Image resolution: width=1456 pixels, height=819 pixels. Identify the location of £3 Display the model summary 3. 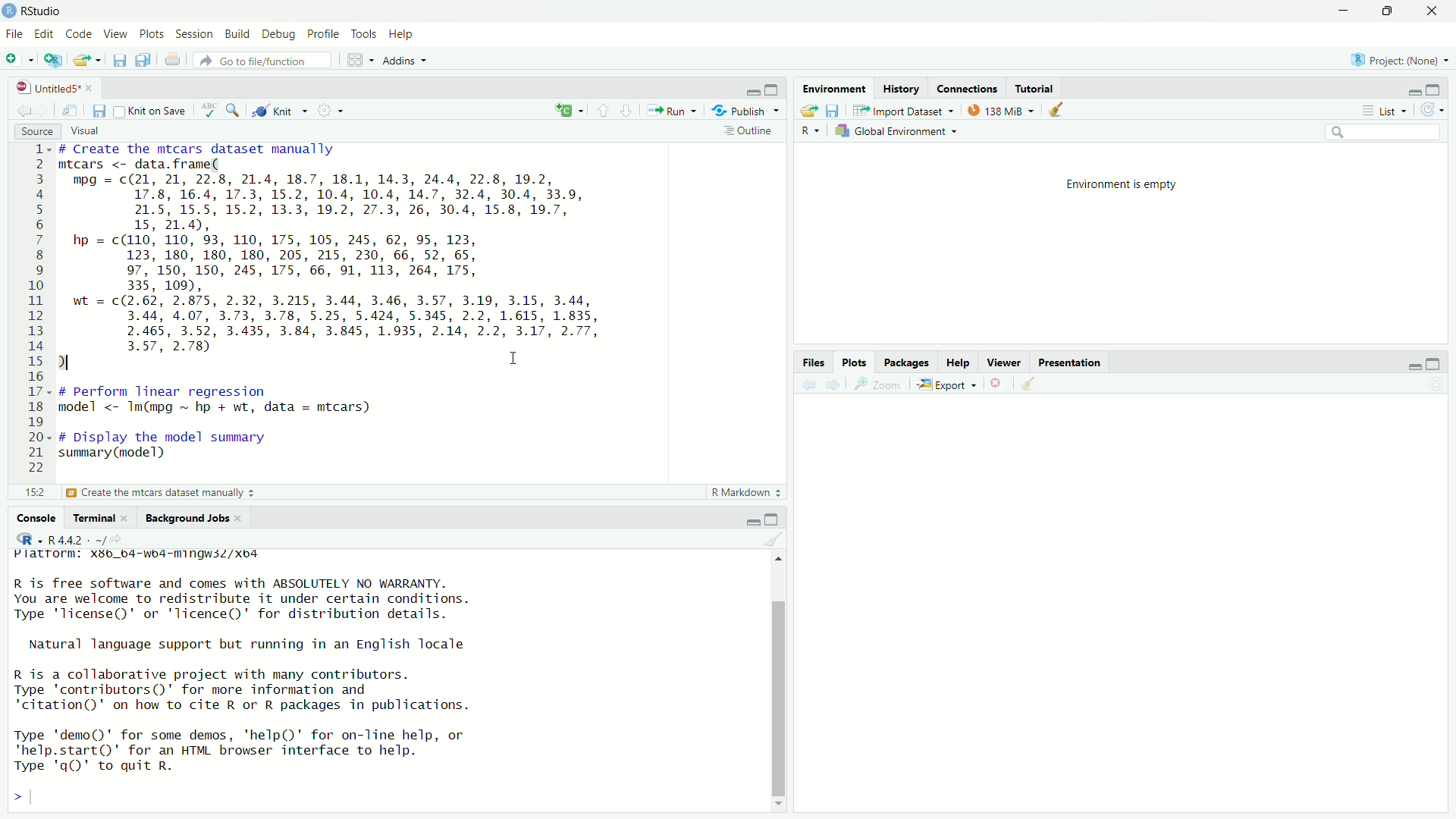
(142, 494).